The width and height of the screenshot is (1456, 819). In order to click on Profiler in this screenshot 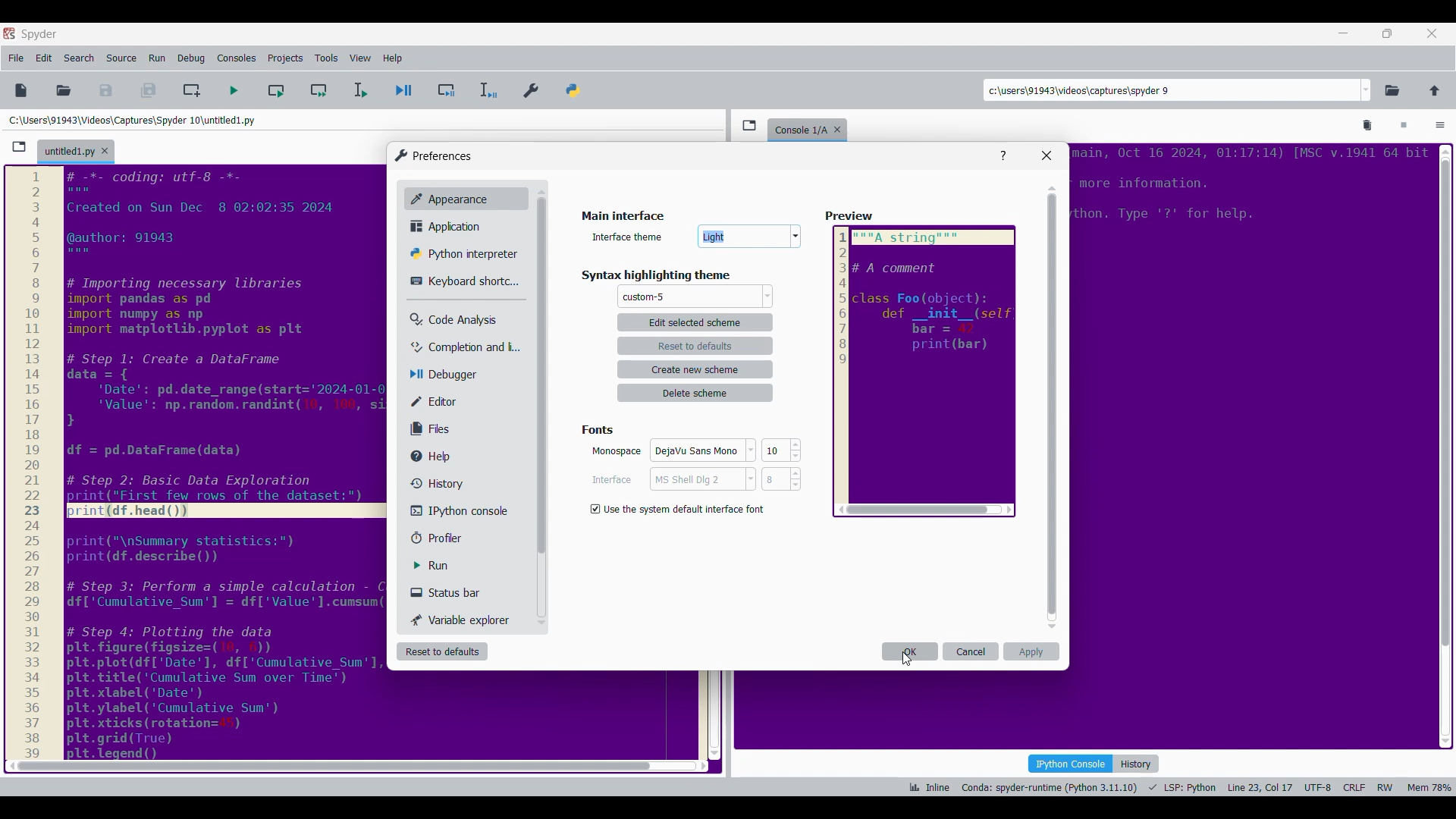, I will do `click(450, 538)`.